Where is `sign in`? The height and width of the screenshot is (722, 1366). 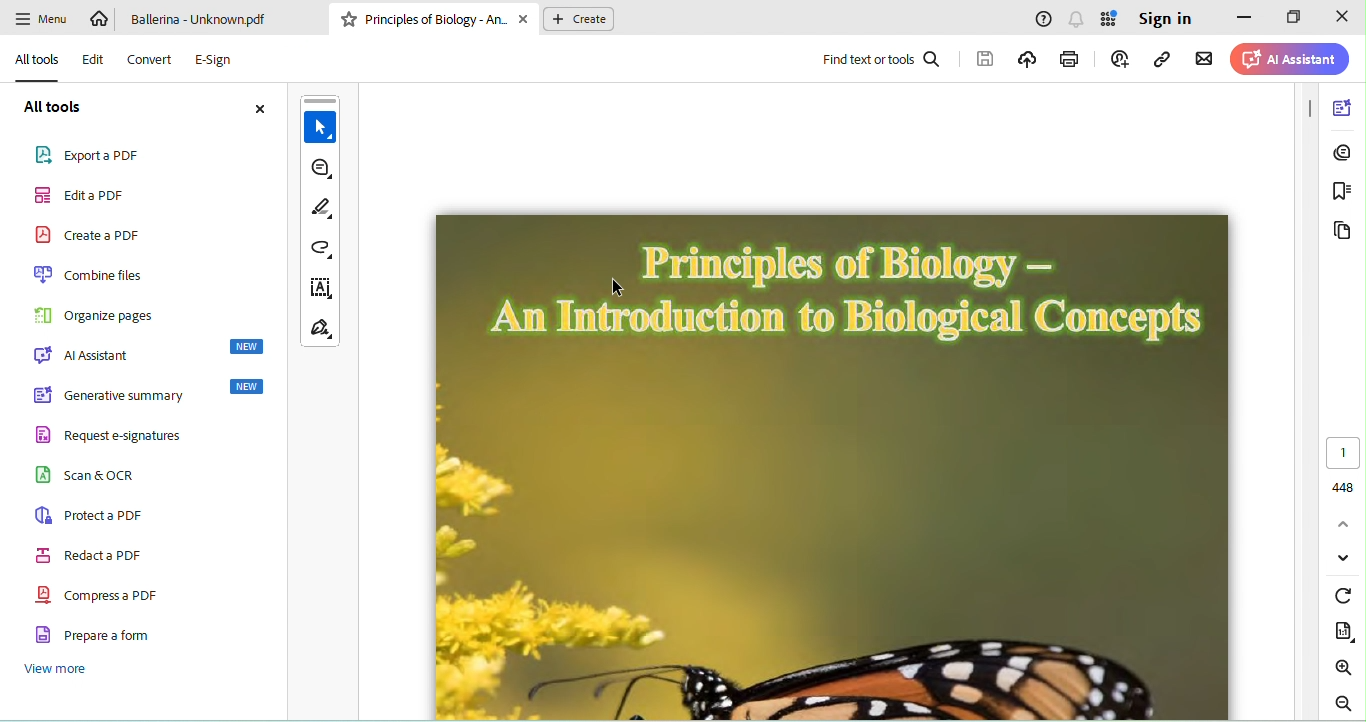
sign in is located at coordinates (1165, 20).